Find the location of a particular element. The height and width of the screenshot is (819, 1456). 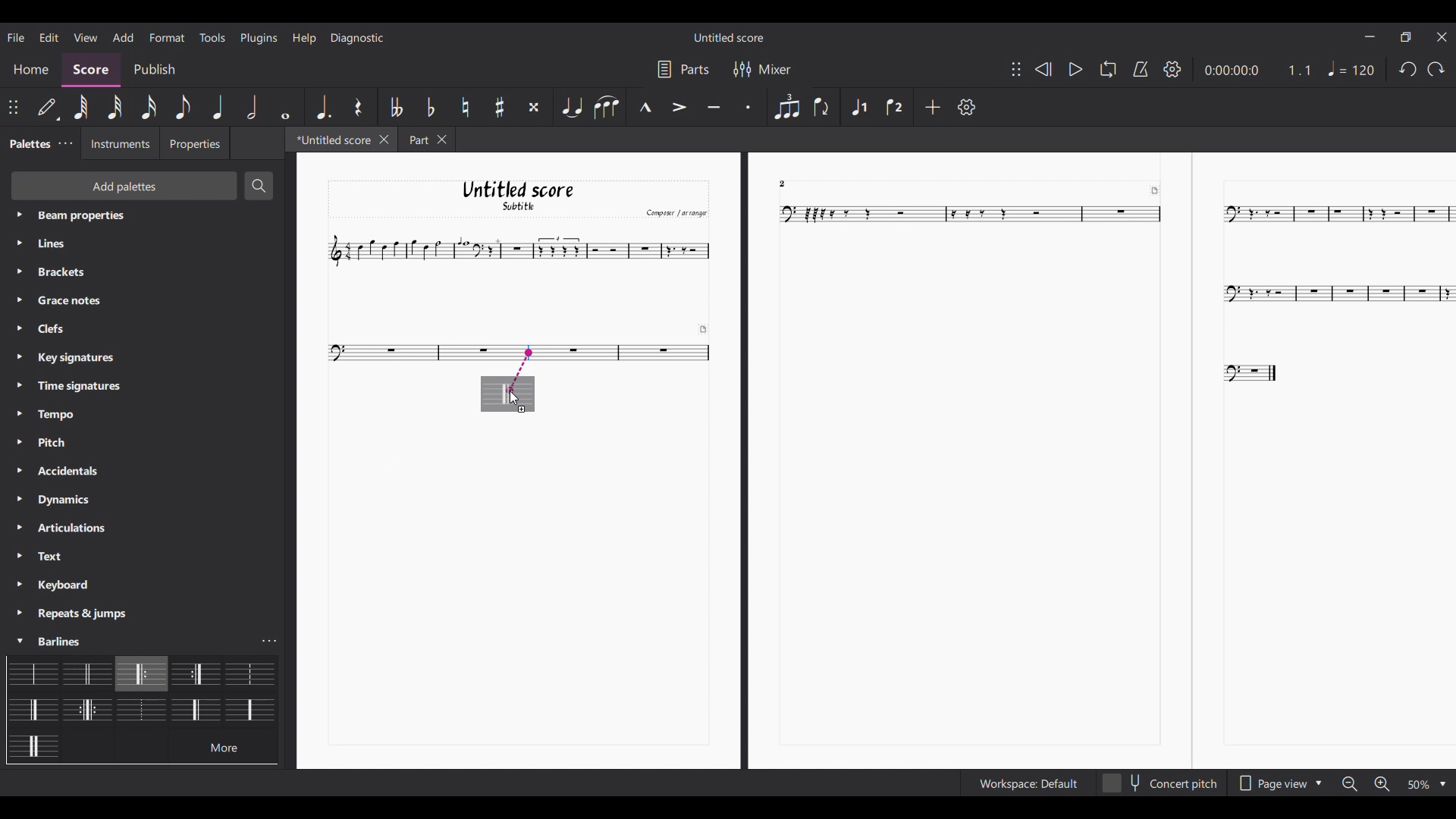

more is located at coordinates (224, 747).